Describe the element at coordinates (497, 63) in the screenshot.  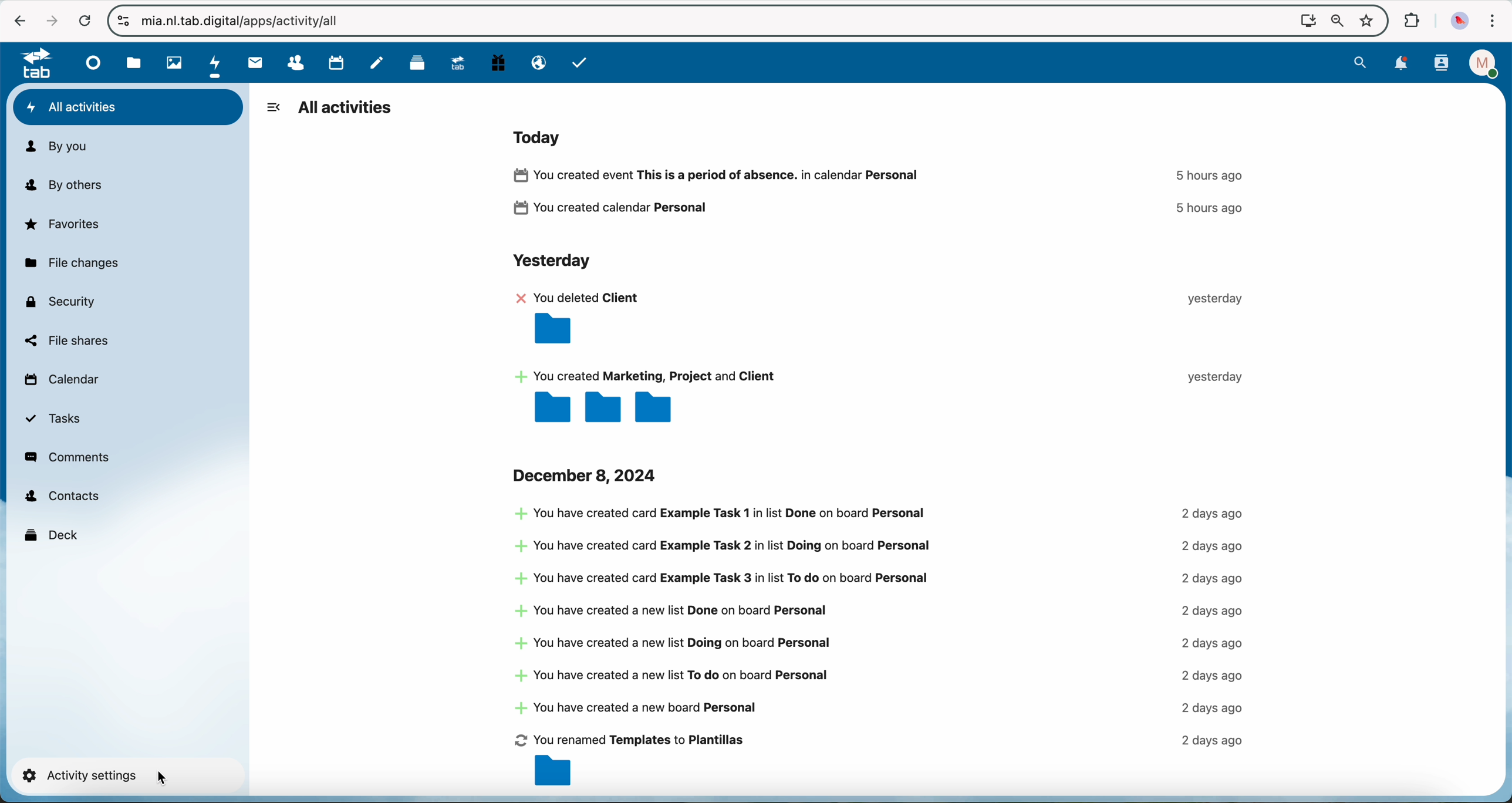
I see `free trial` at that location.